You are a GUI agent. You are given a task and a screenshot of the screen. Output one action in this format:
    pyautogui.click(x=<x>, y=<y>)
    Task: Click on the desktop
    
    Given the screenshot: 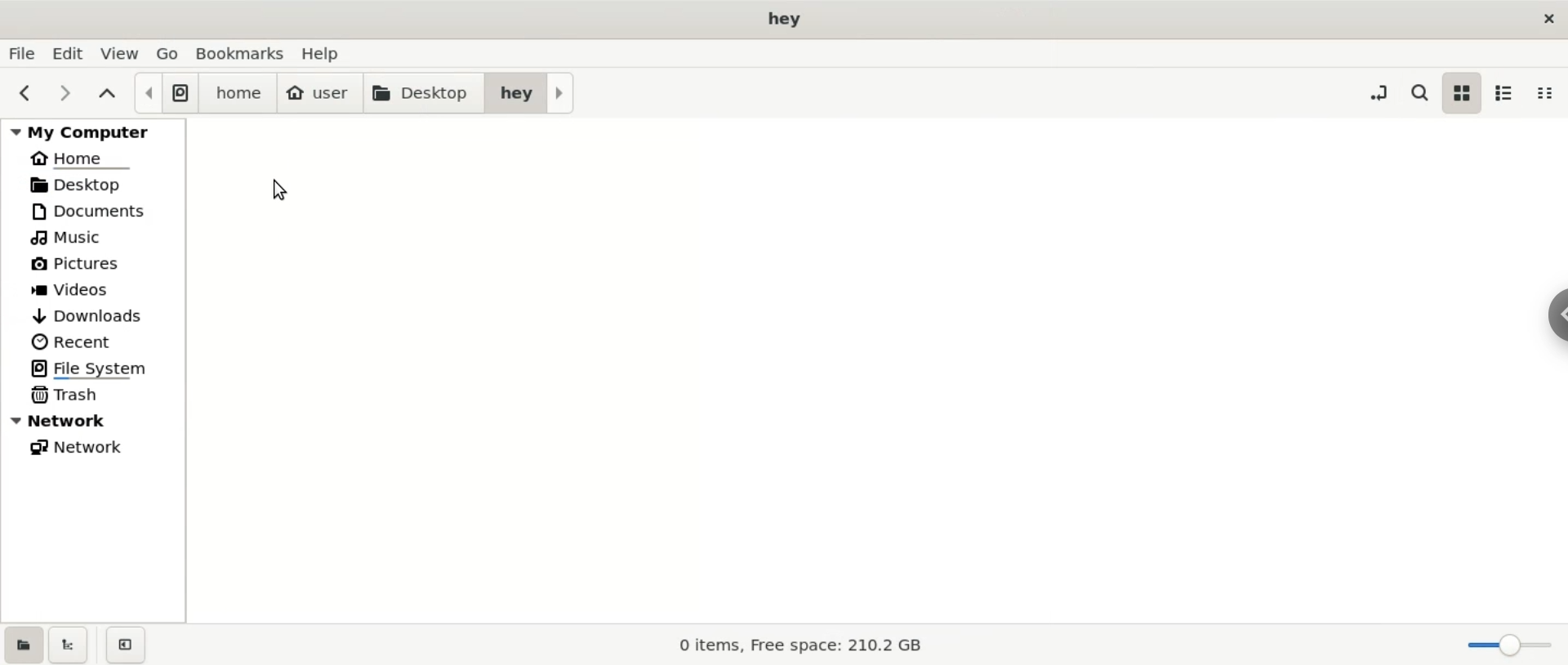 What is the action you would take?
    pyautogui.click(x=94, y=184)
    